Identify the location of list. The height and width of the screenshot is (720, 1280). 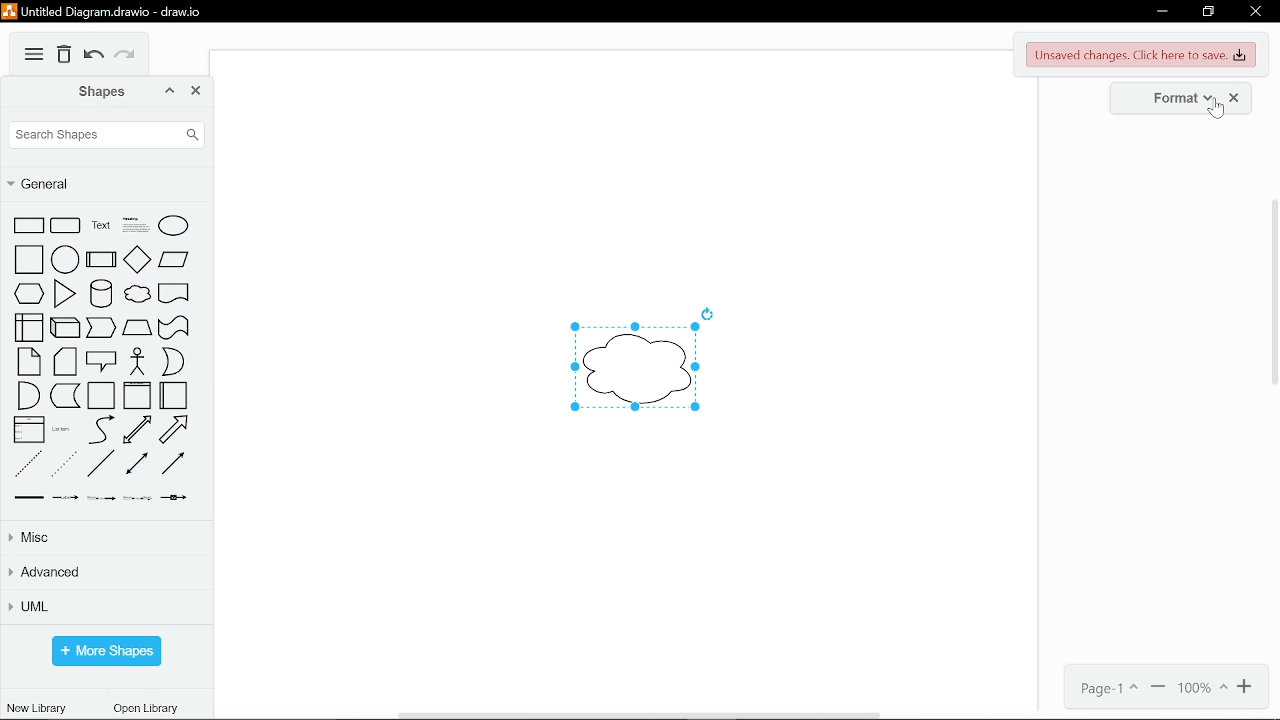
(30, 430).